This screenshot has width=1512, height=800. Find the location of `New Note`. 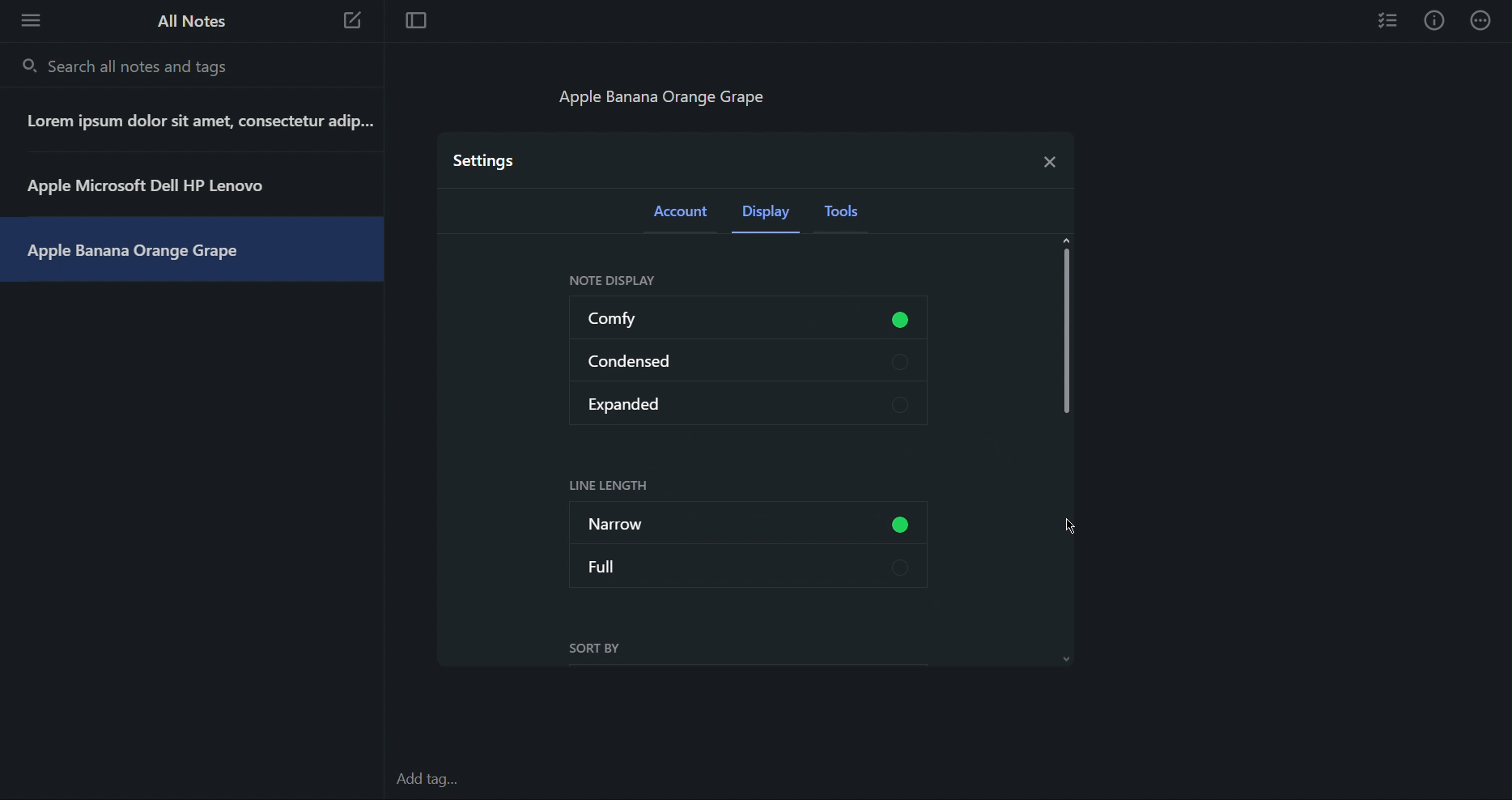

New Note is located at coordinates (353, 23).